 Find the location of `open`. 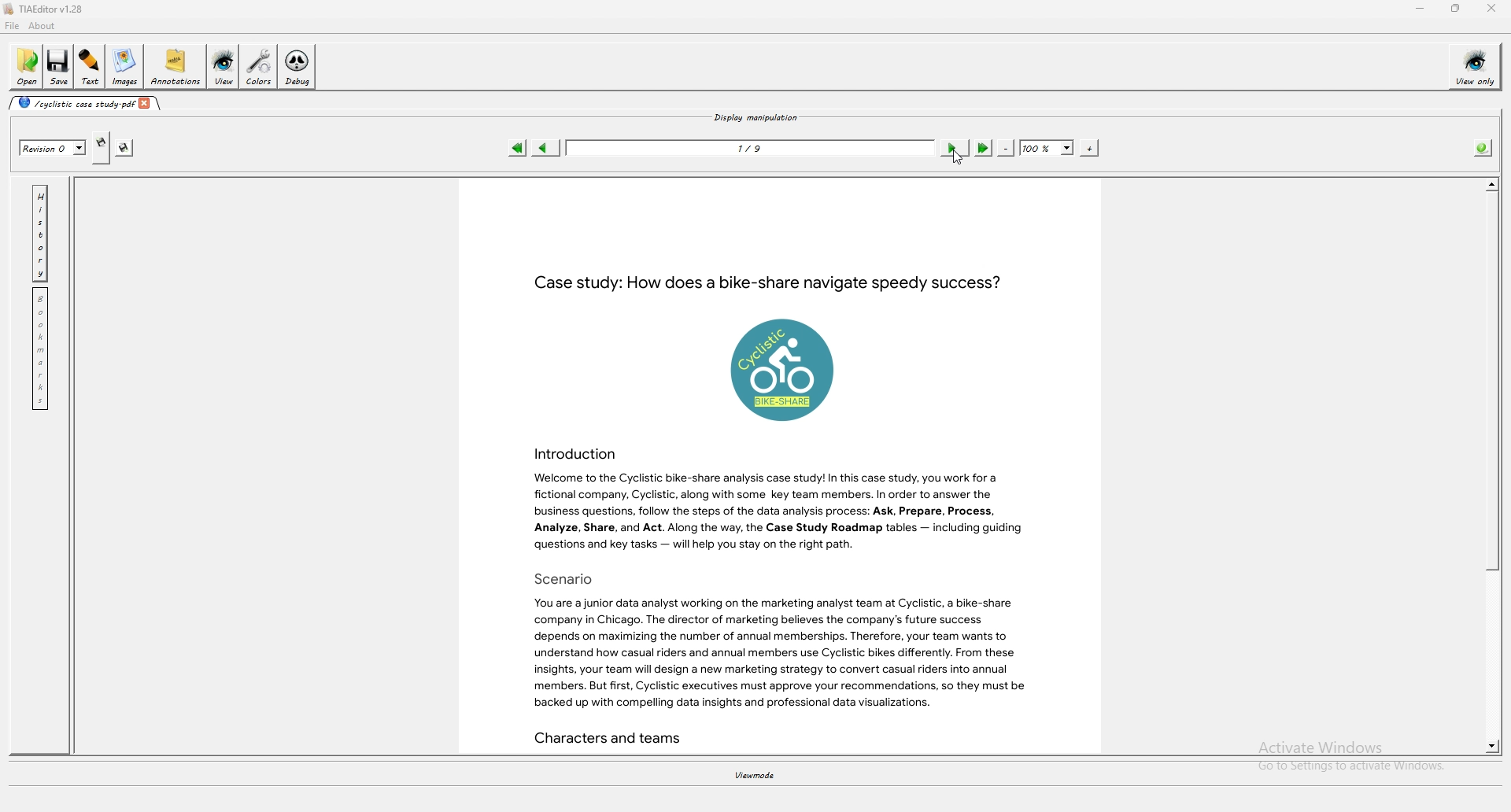

open is located at coordinates (26, 67).